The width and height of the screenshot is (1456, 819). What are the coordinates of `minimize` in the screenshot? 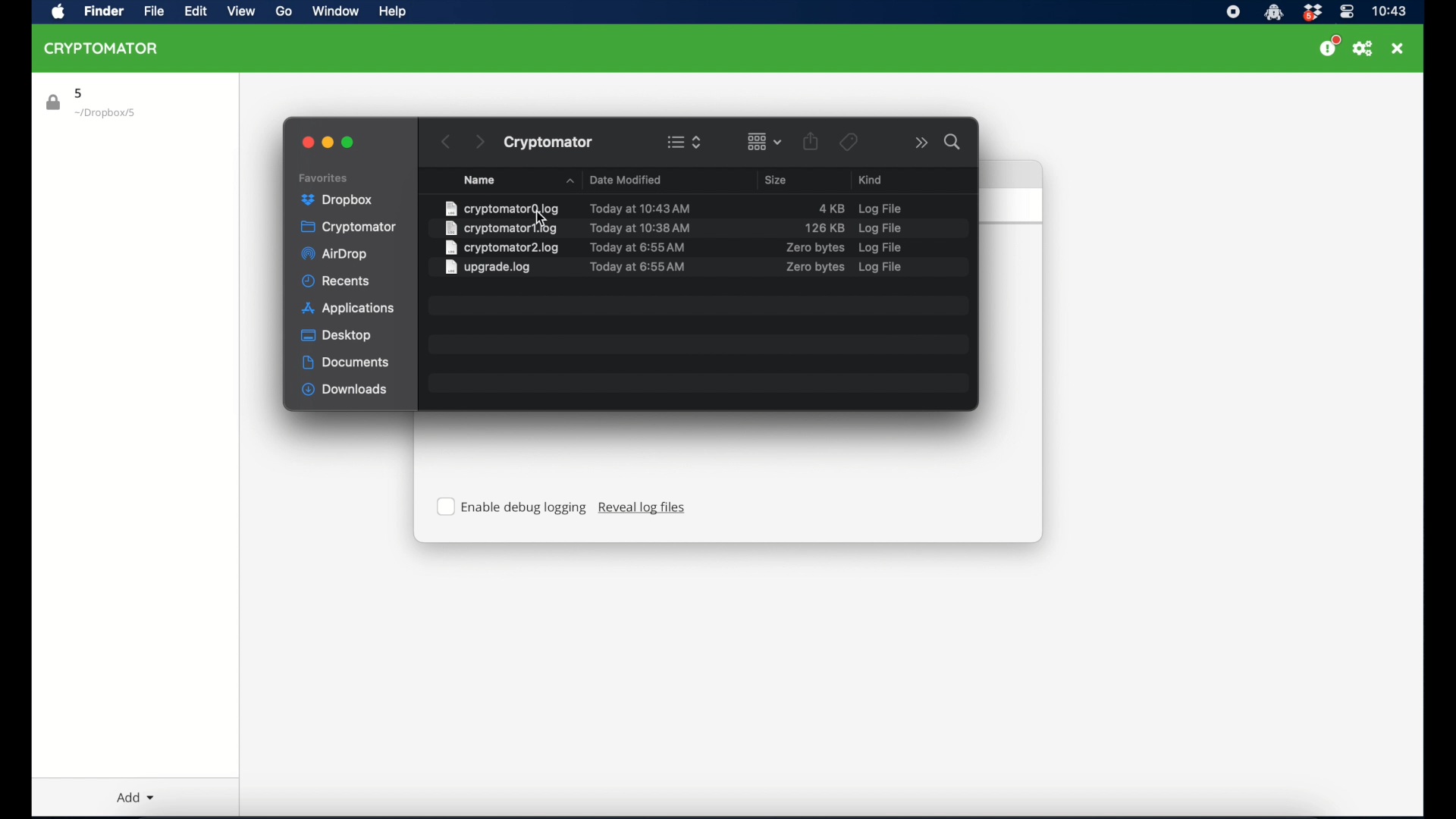 It's located at (328, 143).